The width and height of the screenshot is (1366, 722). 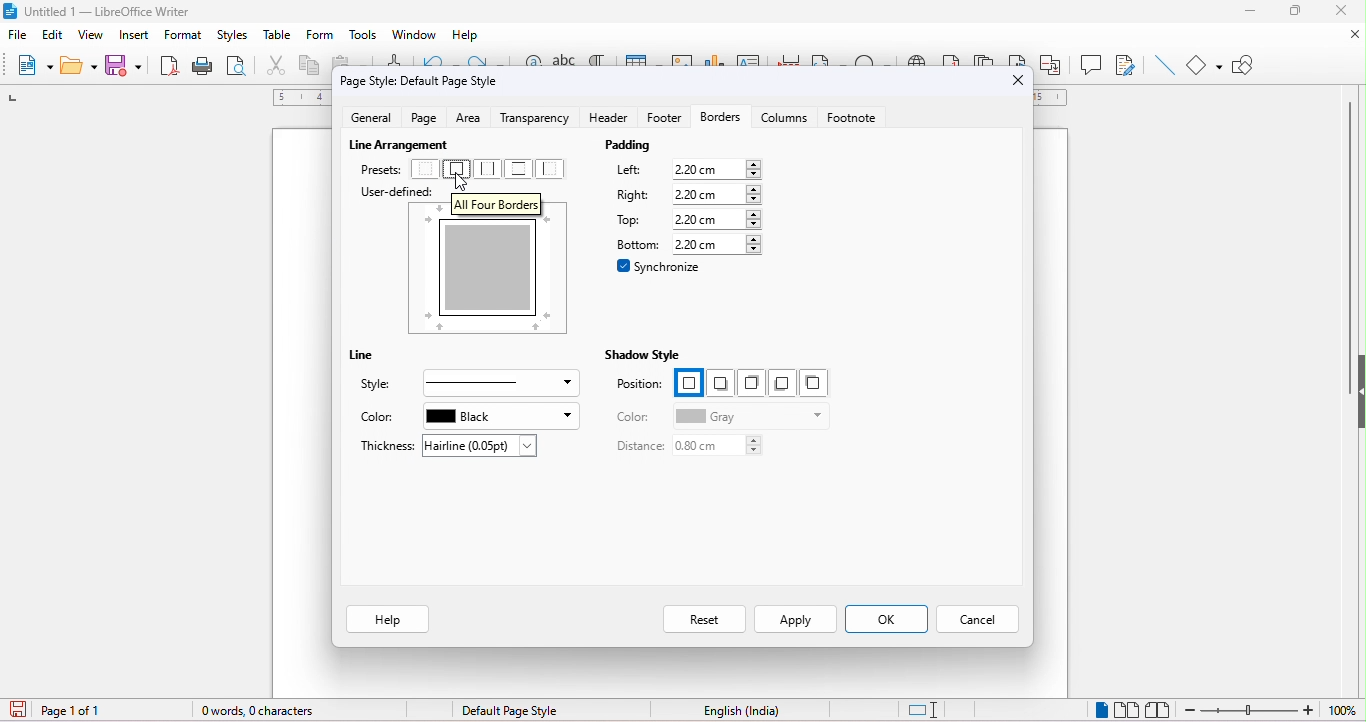 I want to click on , so click(x=87, y=34).